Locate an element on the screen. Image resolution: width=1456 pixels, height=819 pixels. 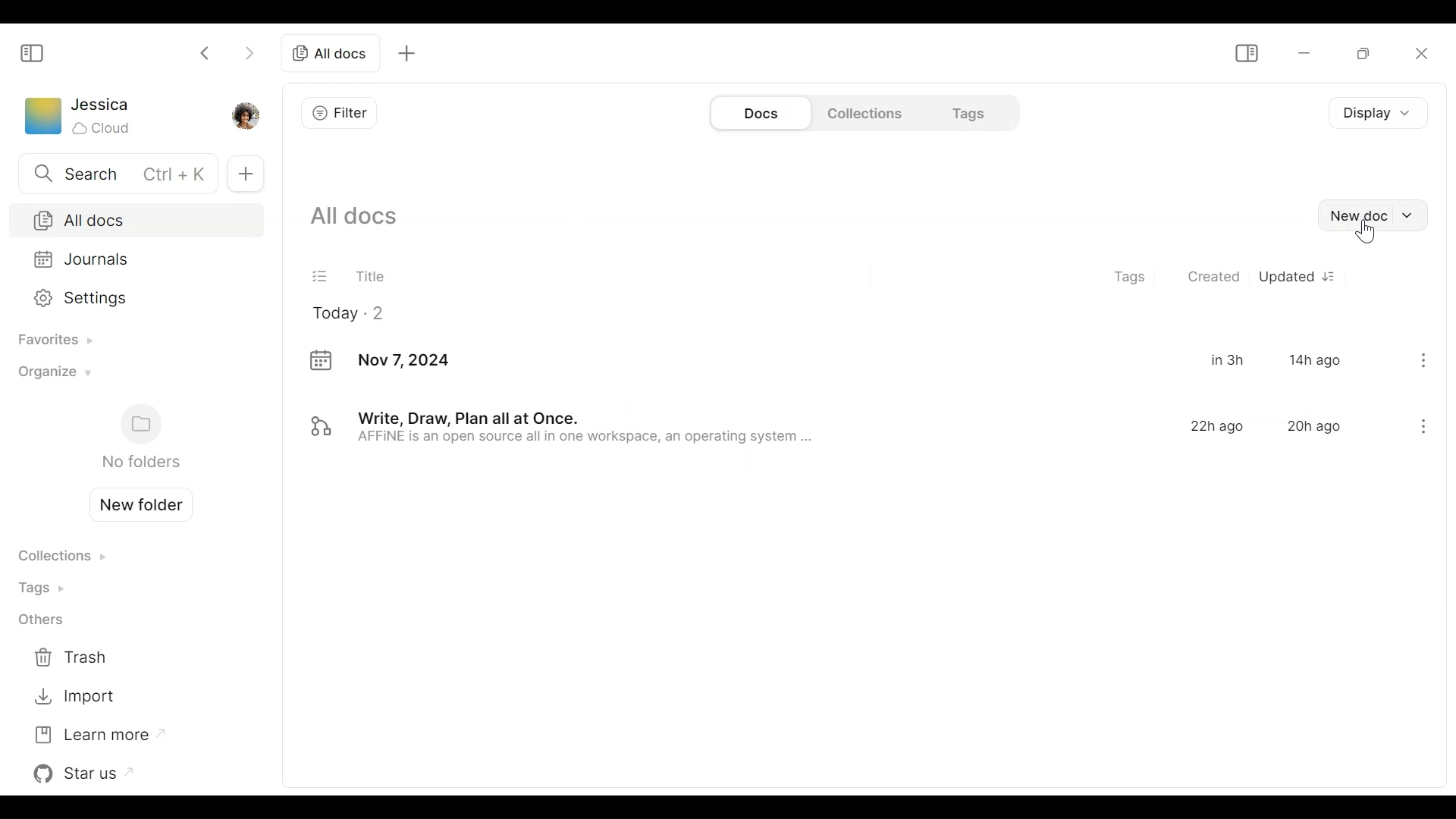
Tags is located at coordinates (46, 587).